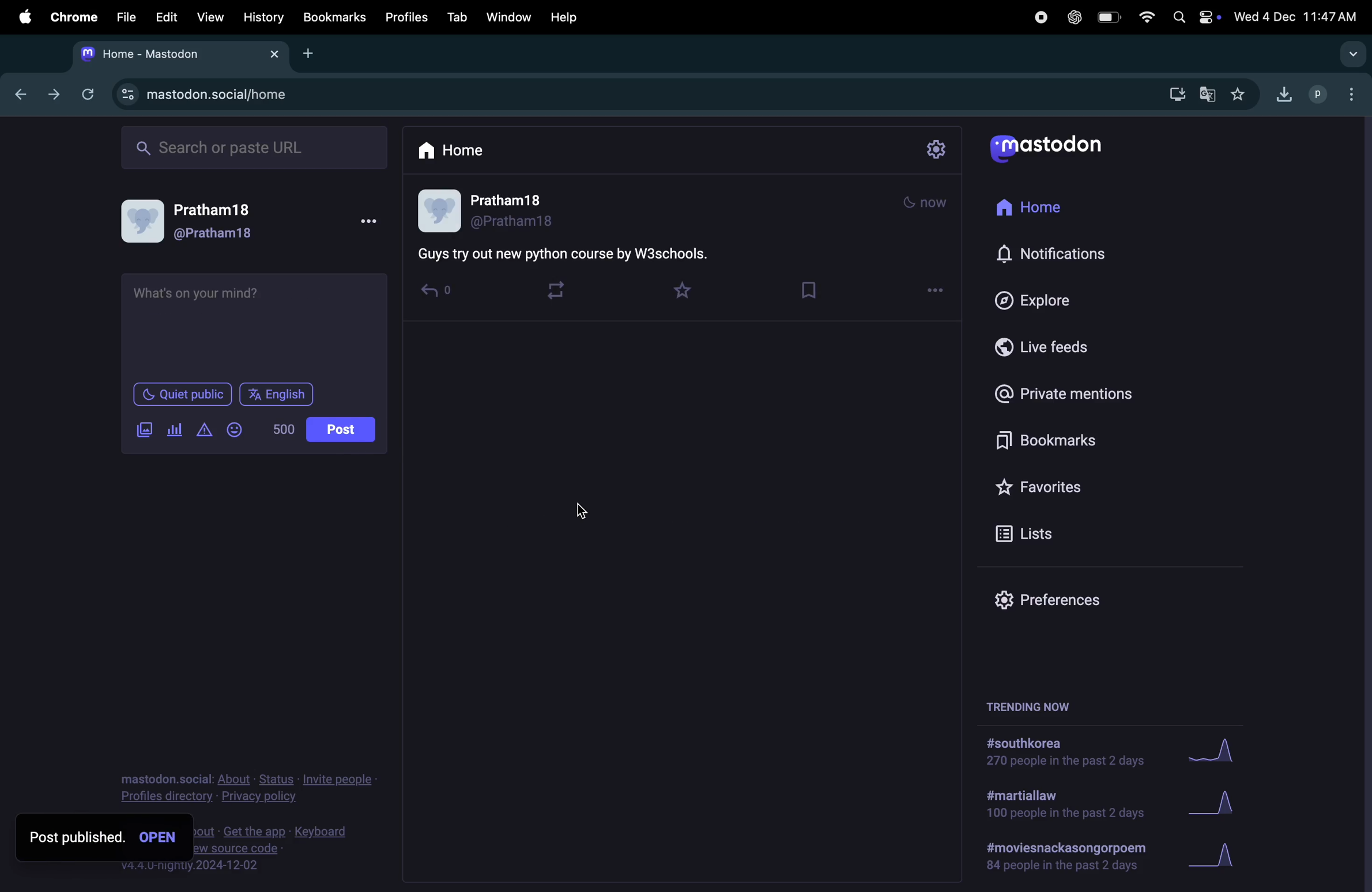 This screenshot has height=892, width=1372. I want to click on Window, so click(506, 18).